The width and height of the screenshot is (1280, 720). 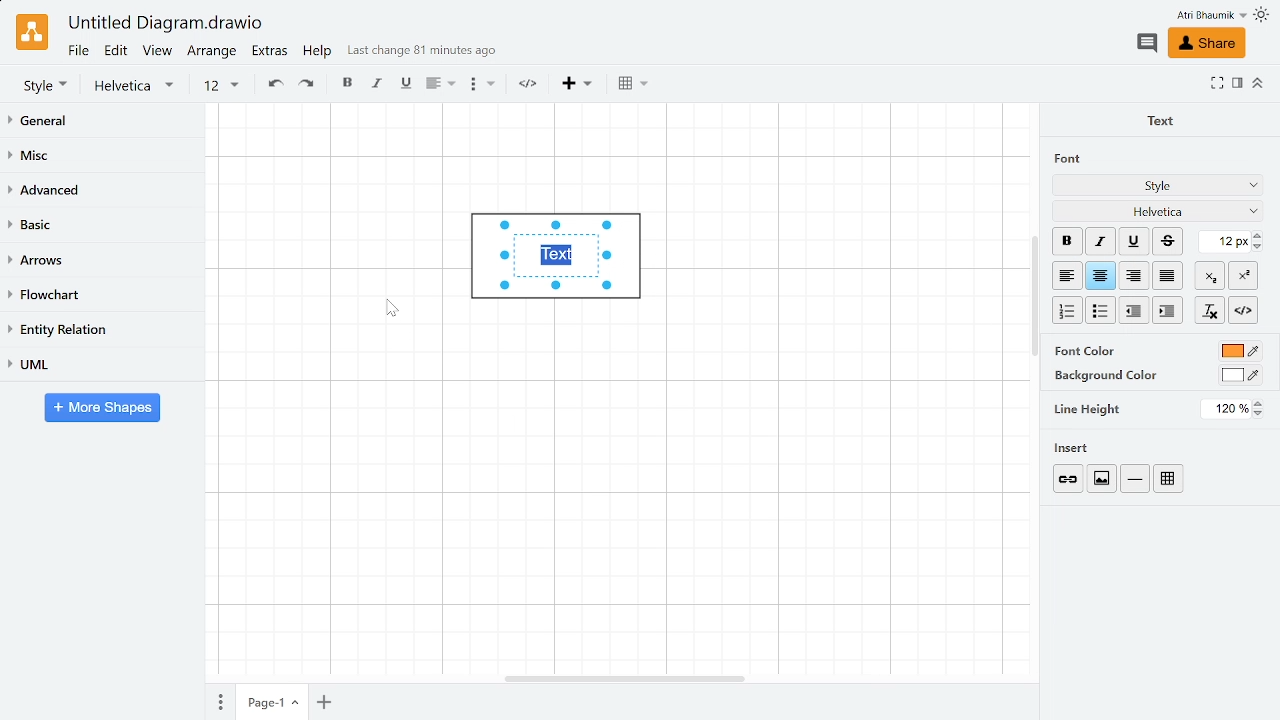 I want to click on UML, so click(x=102, y=363).